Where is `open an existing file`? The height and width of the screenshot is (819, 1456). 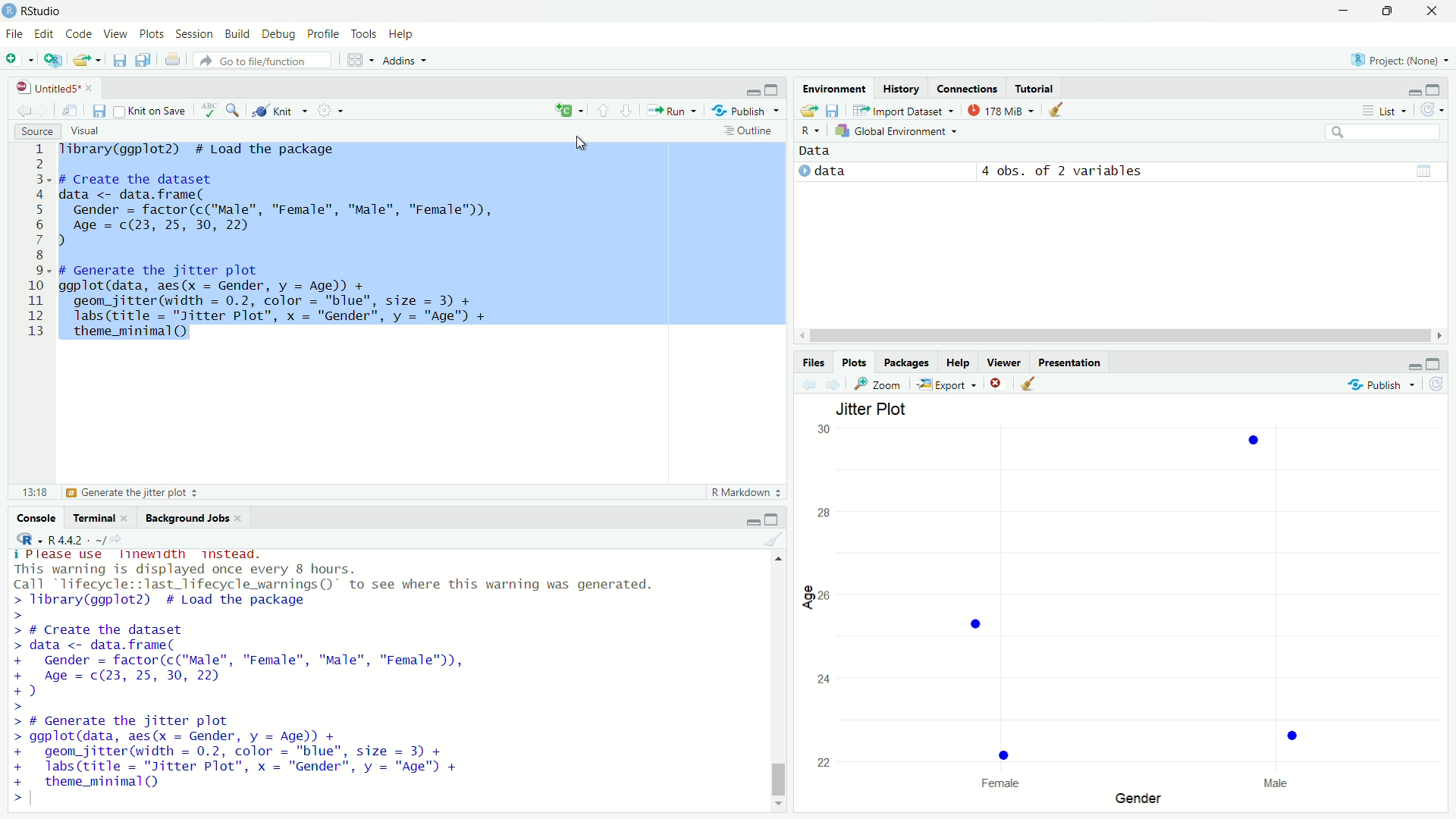 open an existing file is located at coordinates (88, 58).